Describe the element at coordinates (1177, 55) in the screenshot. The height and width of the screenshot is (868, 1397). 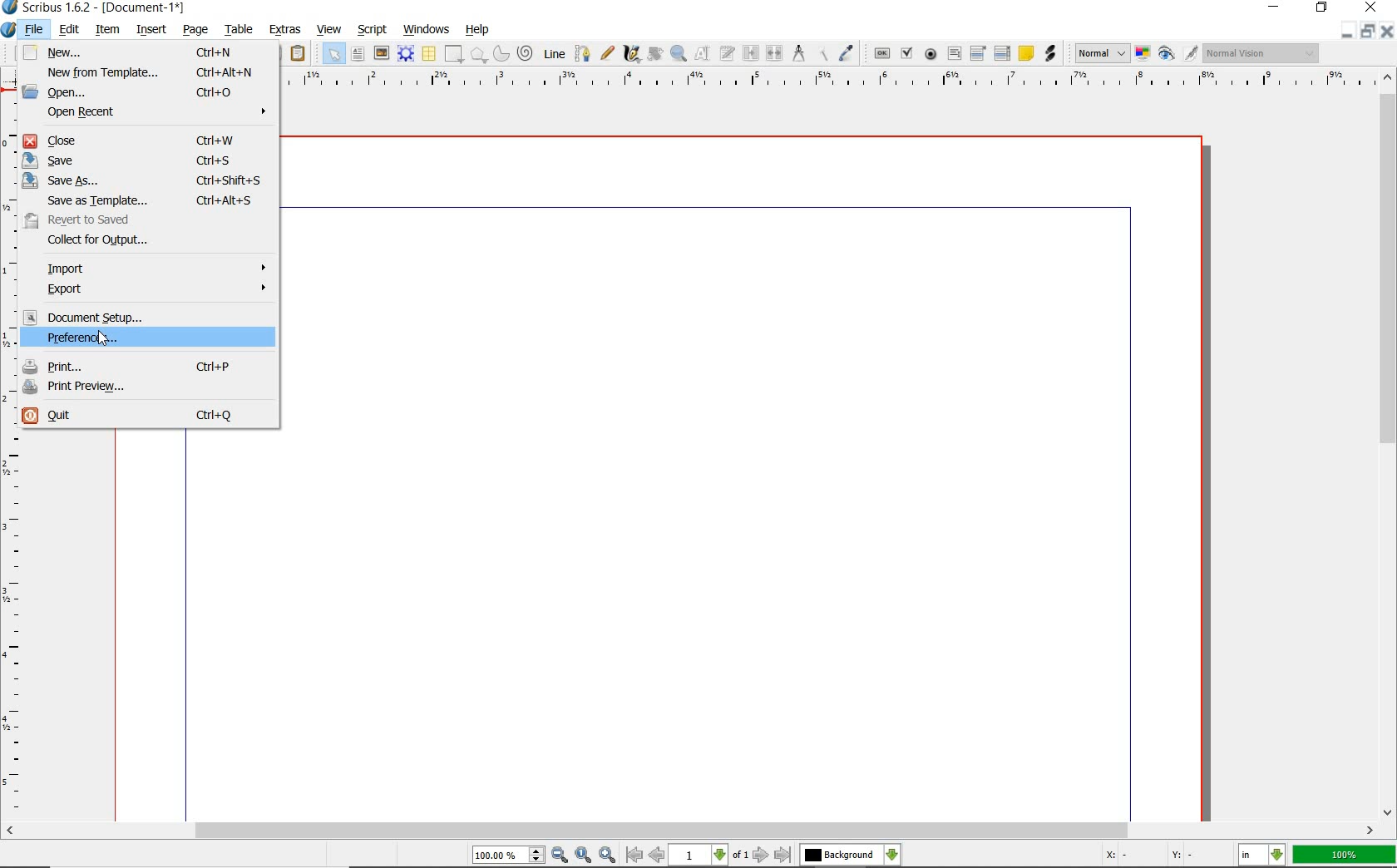
I see `preview mode` at that location.